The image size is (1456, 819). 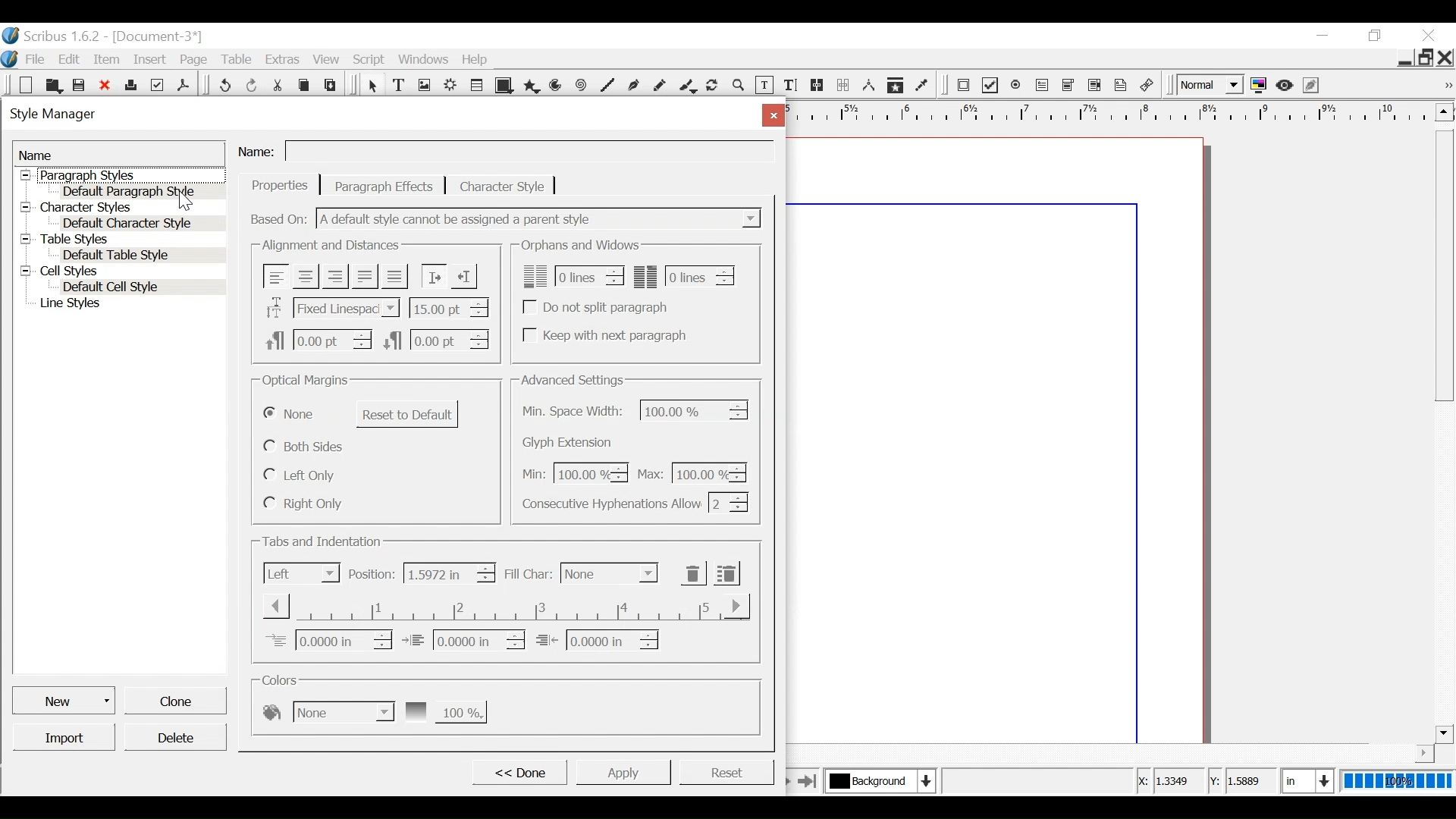 I want to click on Tabs and Indentation, so click(x=324, y=542).